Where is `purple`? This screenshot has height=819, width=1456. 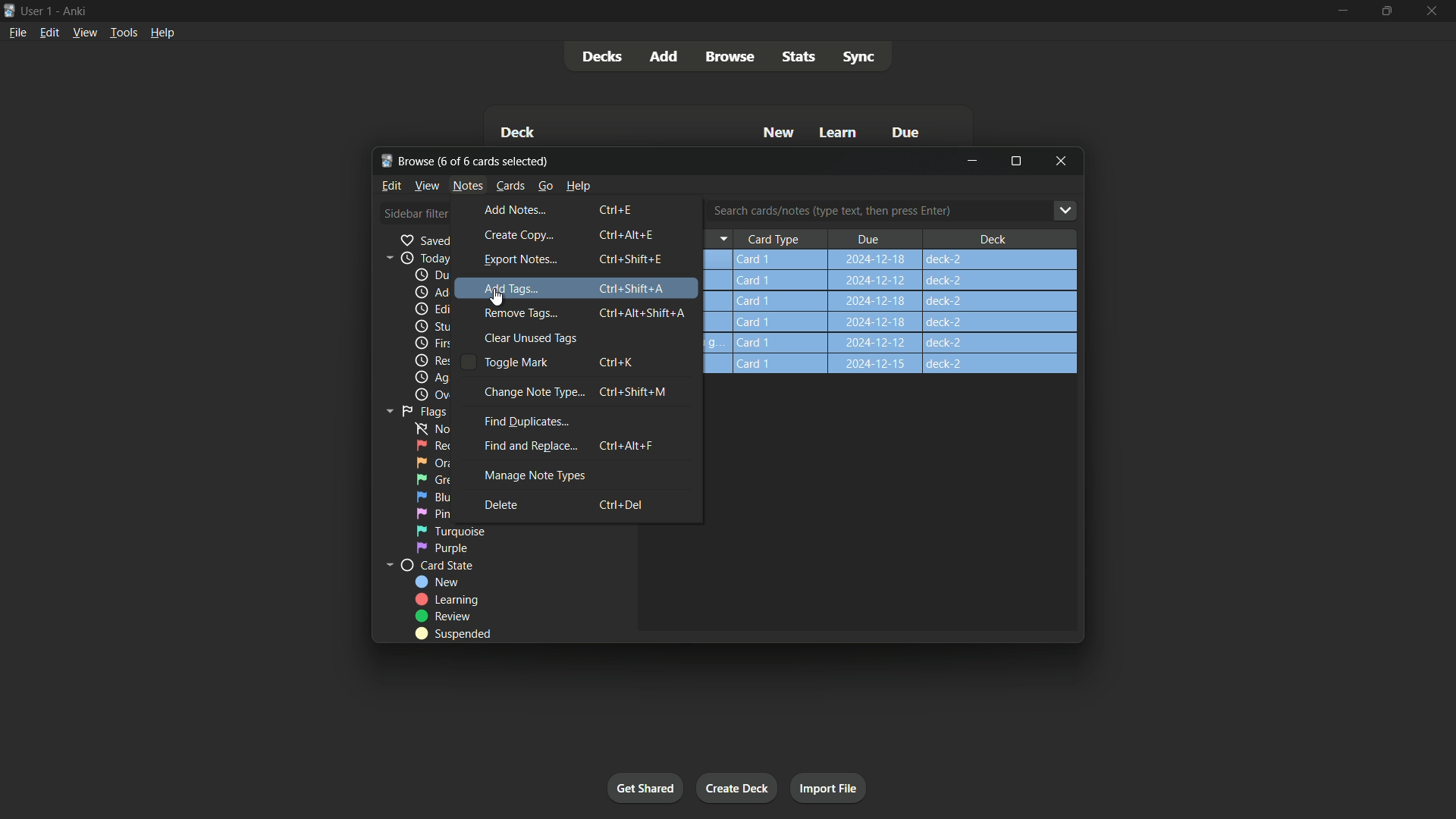
purple is located at coordinates (447, 548).